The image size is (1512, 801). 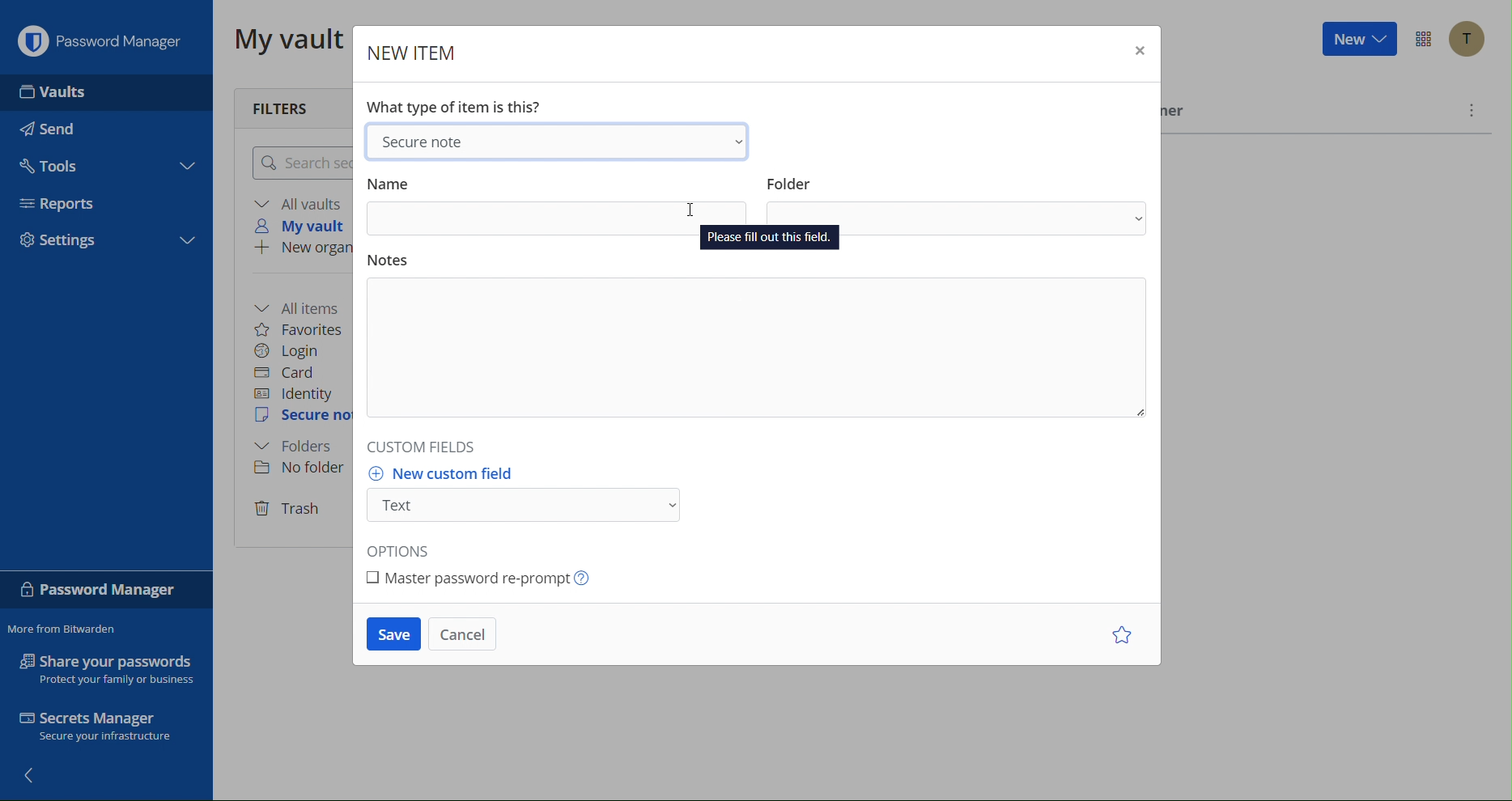 What do you see at coordinates (55, 165) in the screenshot?
I see `Tools` at bounding box center [55, 165].